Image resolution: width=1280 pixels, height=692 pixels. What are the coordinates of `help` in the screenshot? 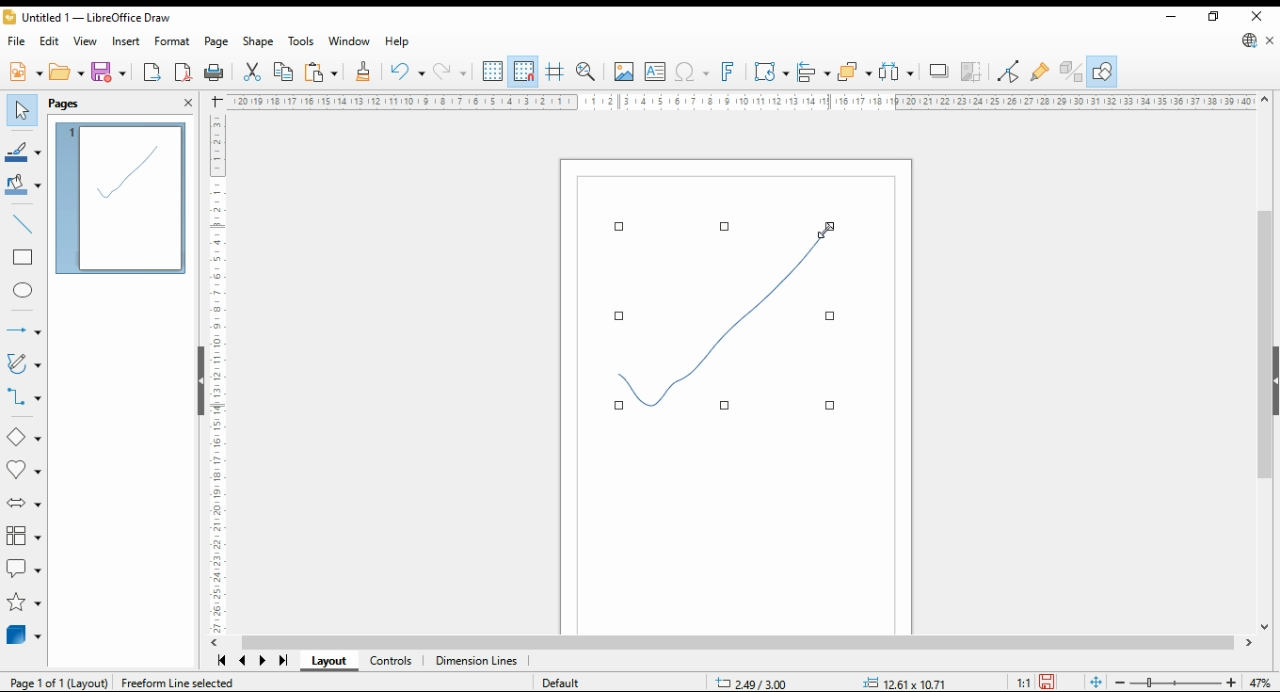 It's located at (397, 43).